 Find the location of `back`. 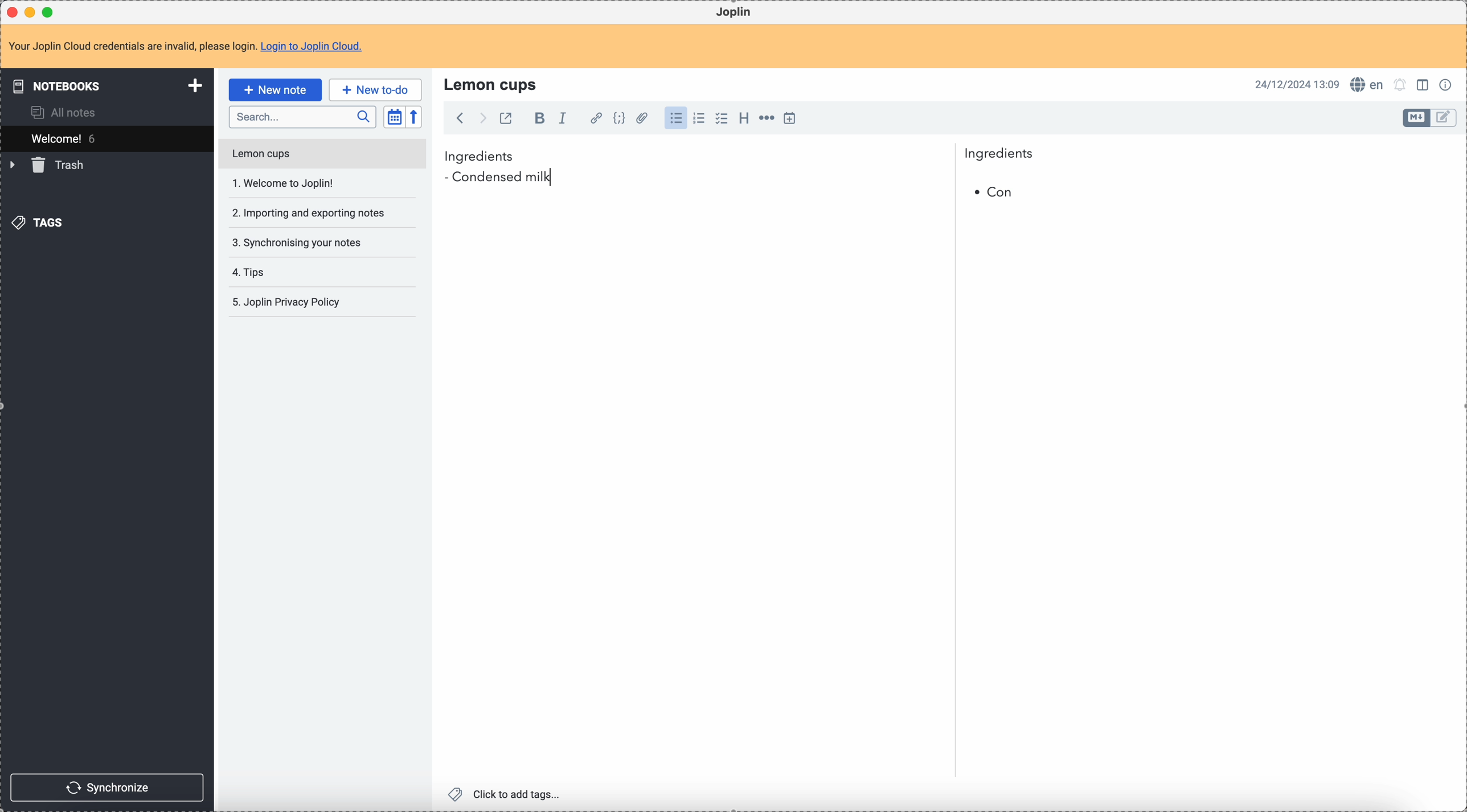

back is located at coordinates (460, 118).